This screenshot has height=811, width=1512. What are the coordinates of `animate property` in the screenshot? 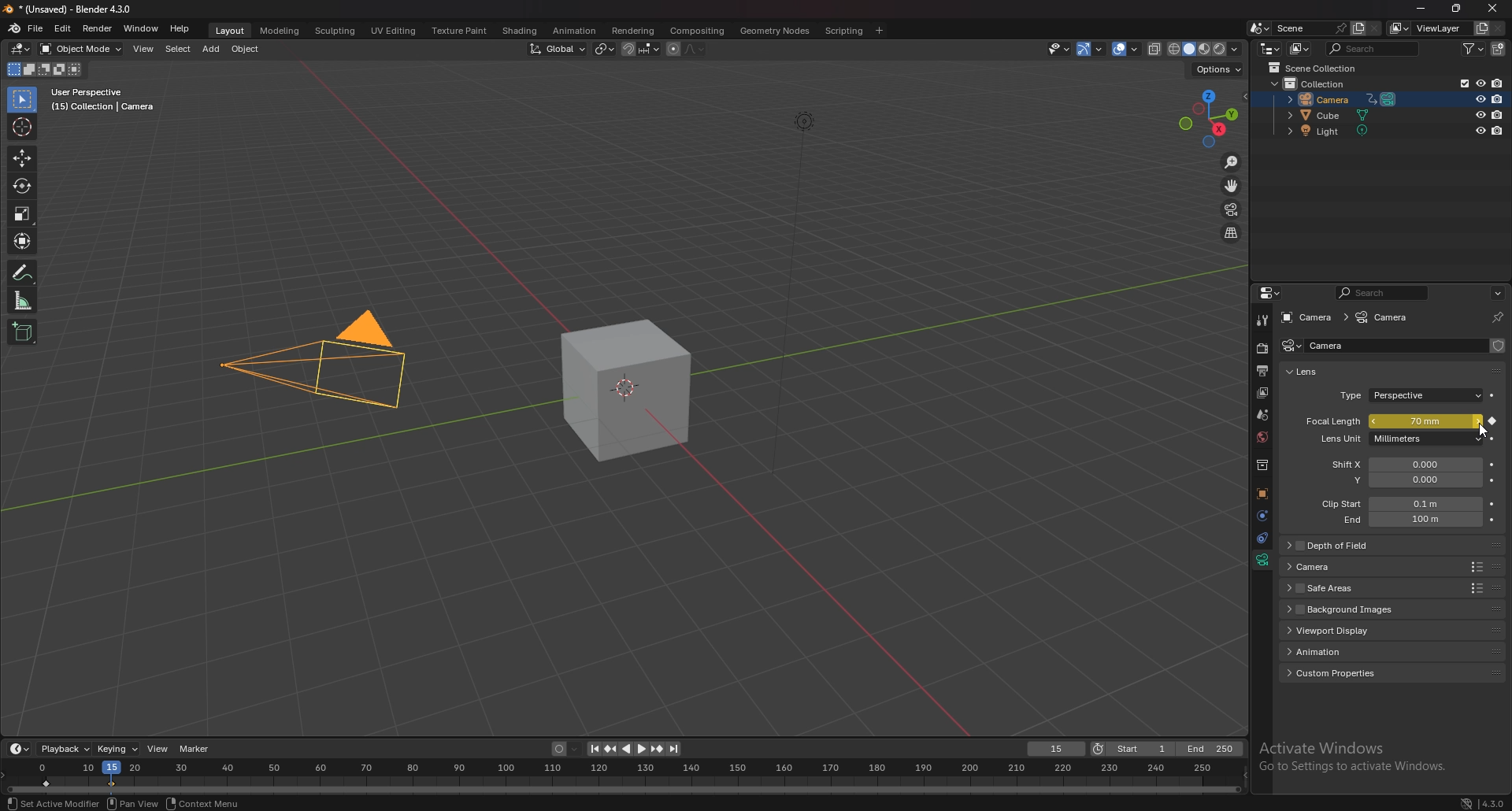 It's located at (1495, 466).